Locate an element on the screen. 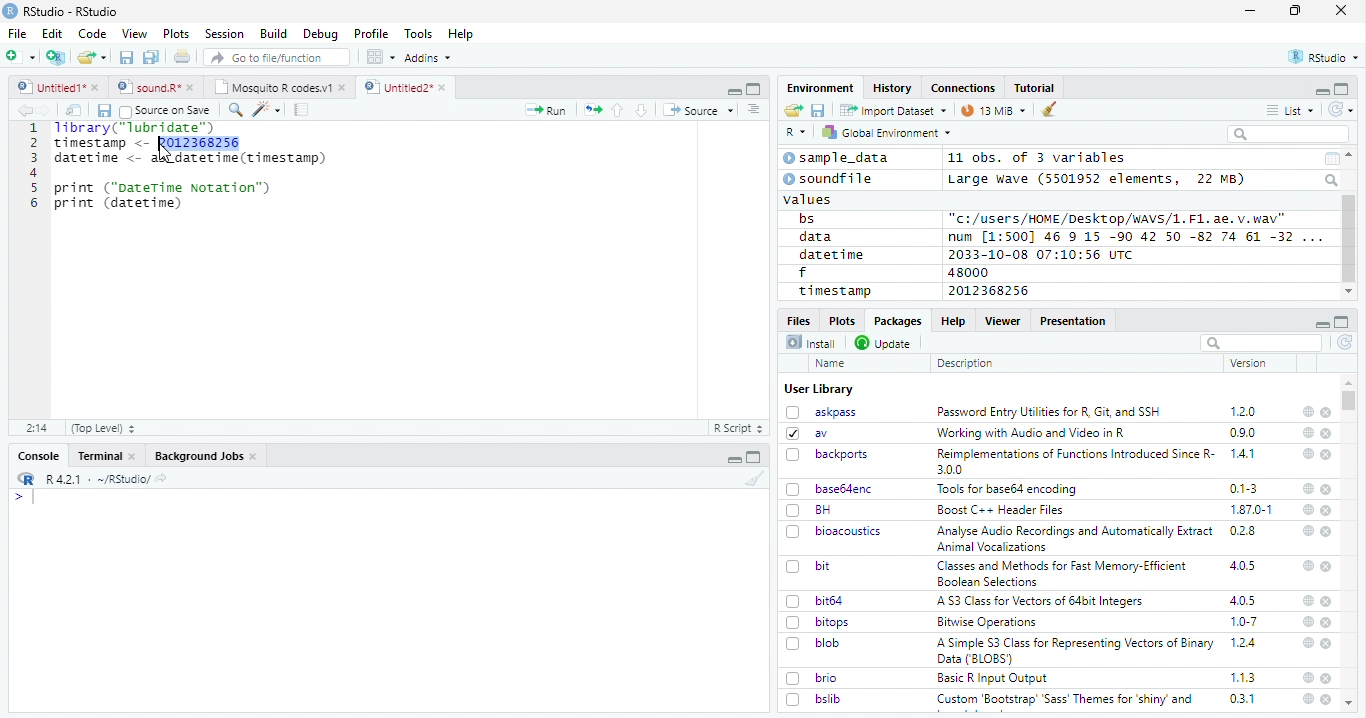 The image size is (1366, 718). close is located at coordinates (1328, 510).